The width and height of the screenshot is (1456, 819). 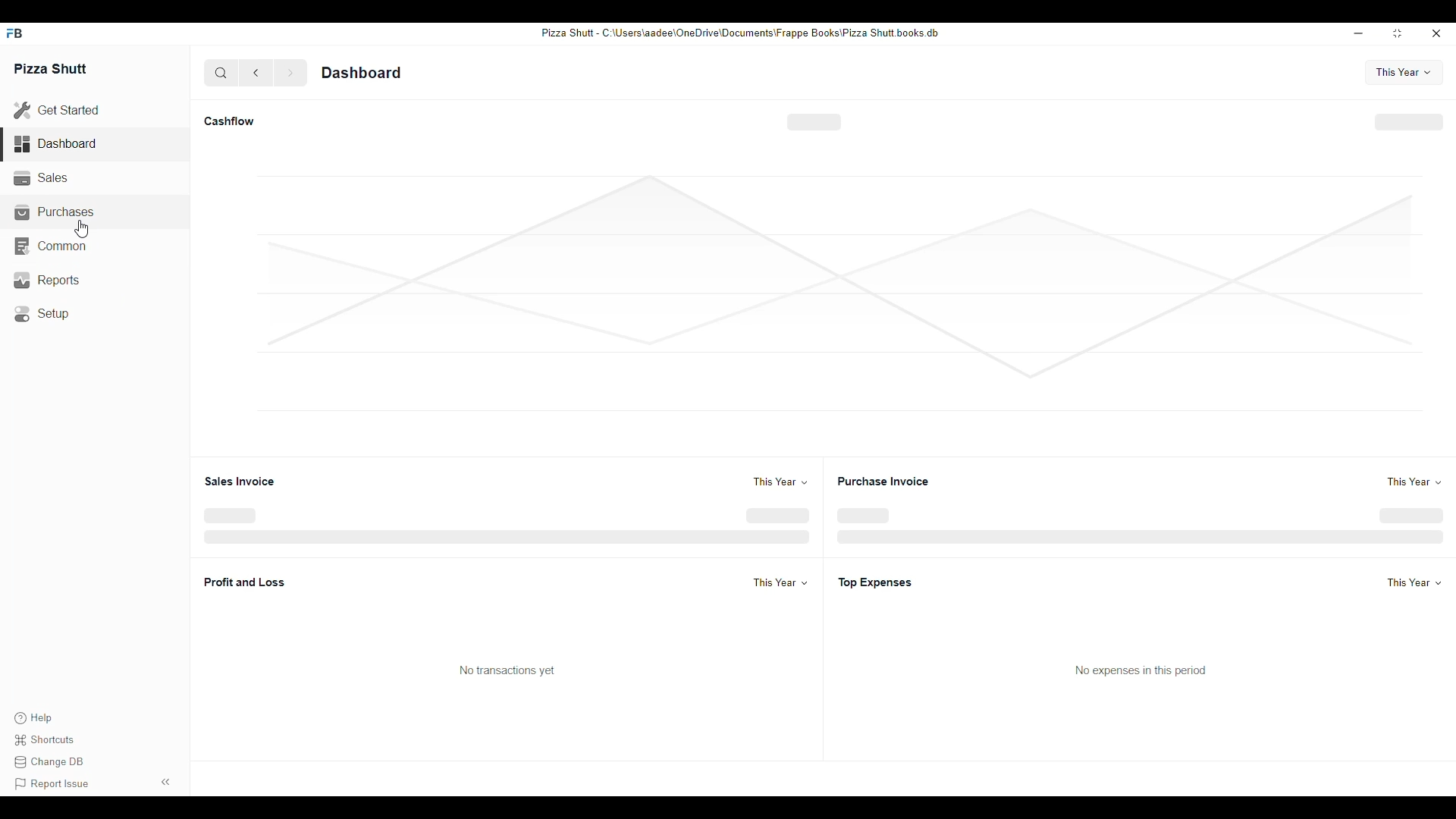 What do you see at coordinates (221, 73) in the screenshot?
I see `search` at bounding box center [221, 73].